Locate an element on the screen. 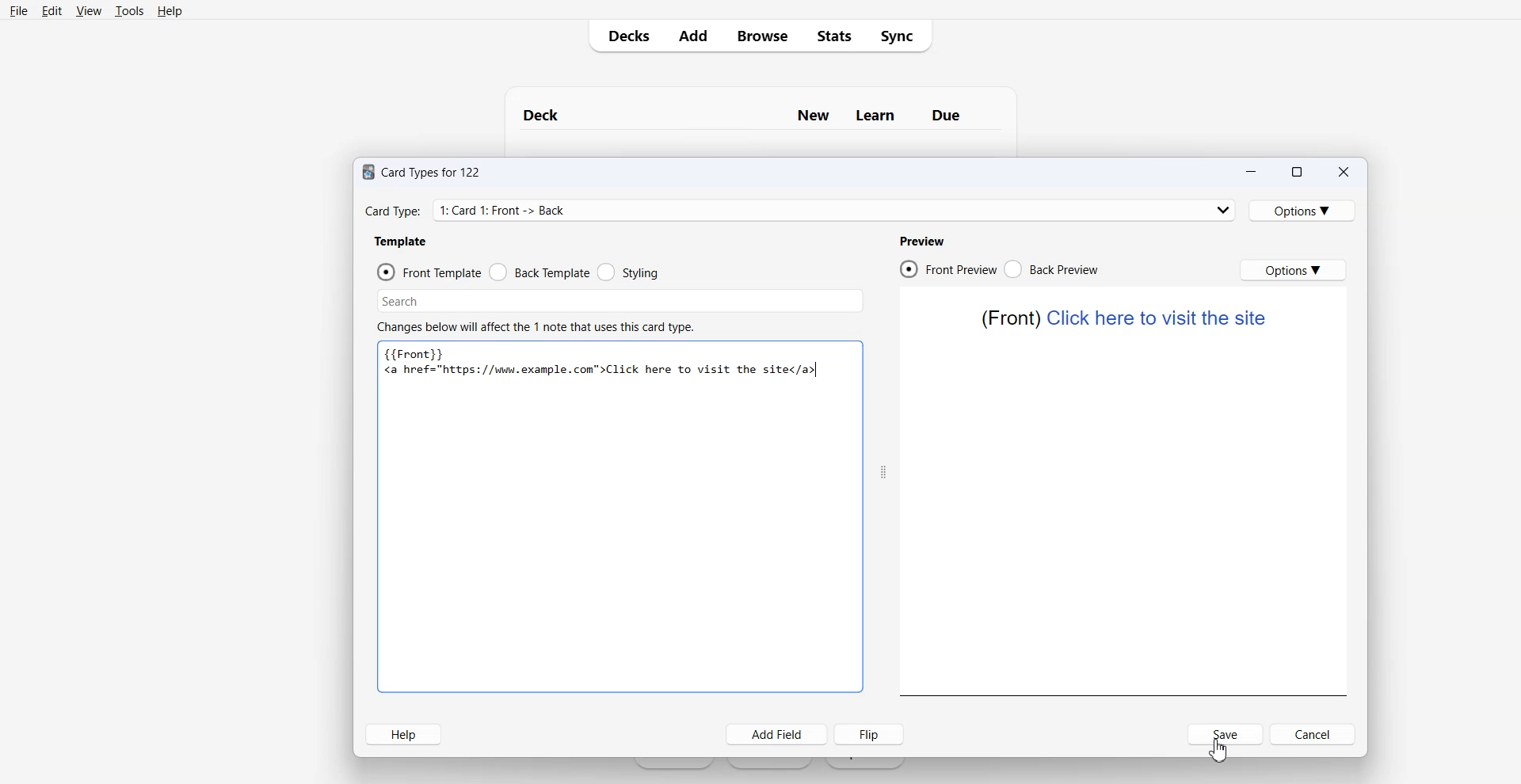 The width and height of the screenshot is (1521, 784). View is located at coordinates (89, 10).